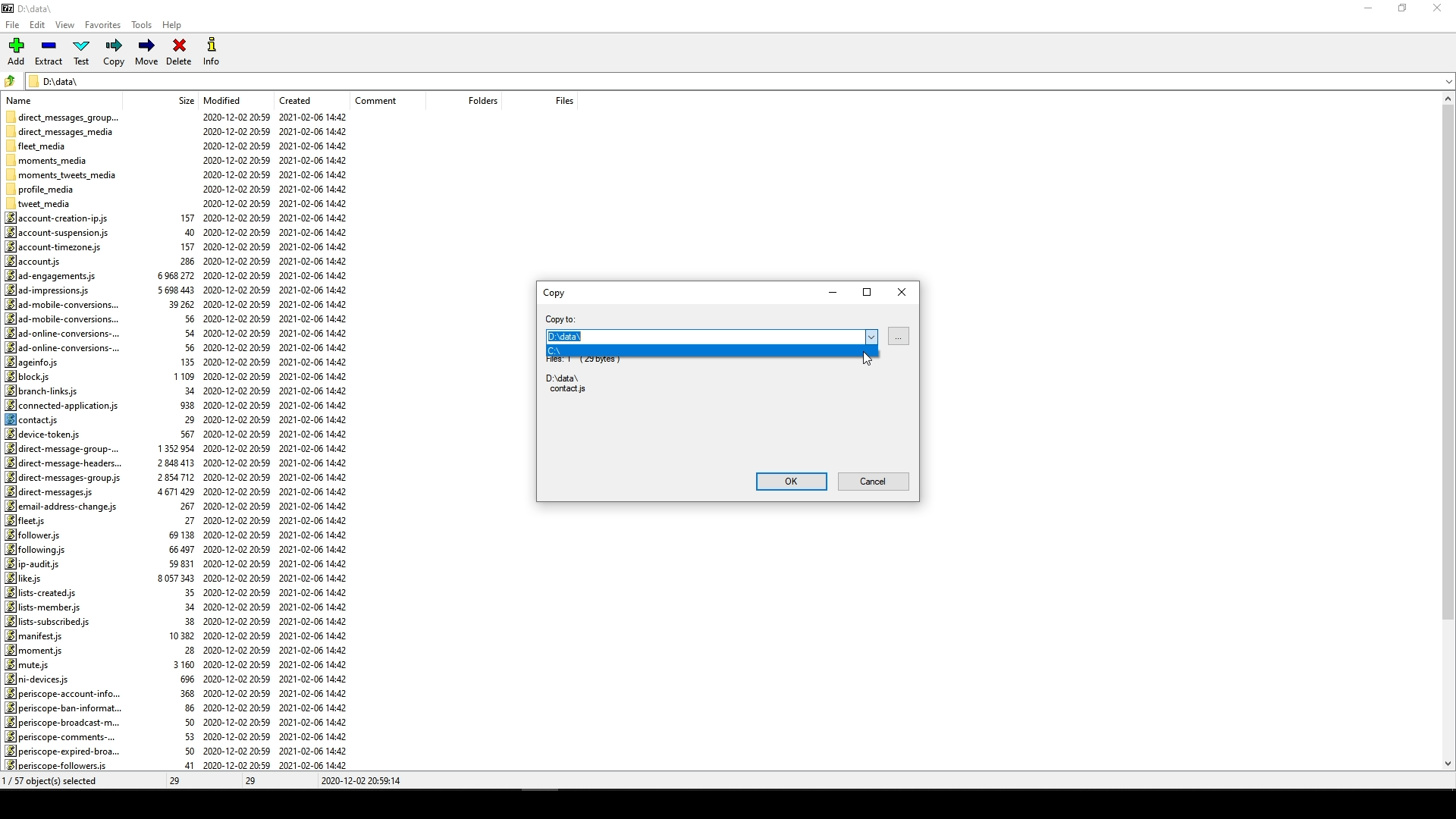  I want to click on account-suspension.js, so click(58, 231).